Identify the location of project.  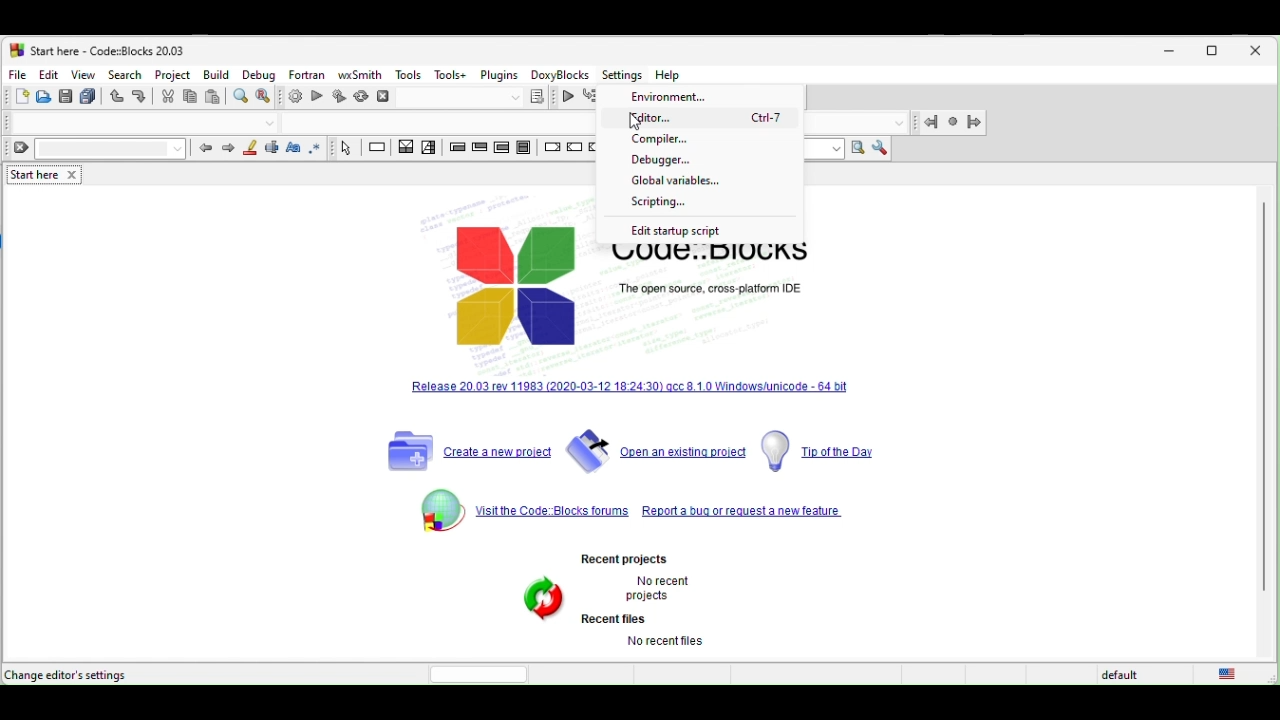
(173, 73).